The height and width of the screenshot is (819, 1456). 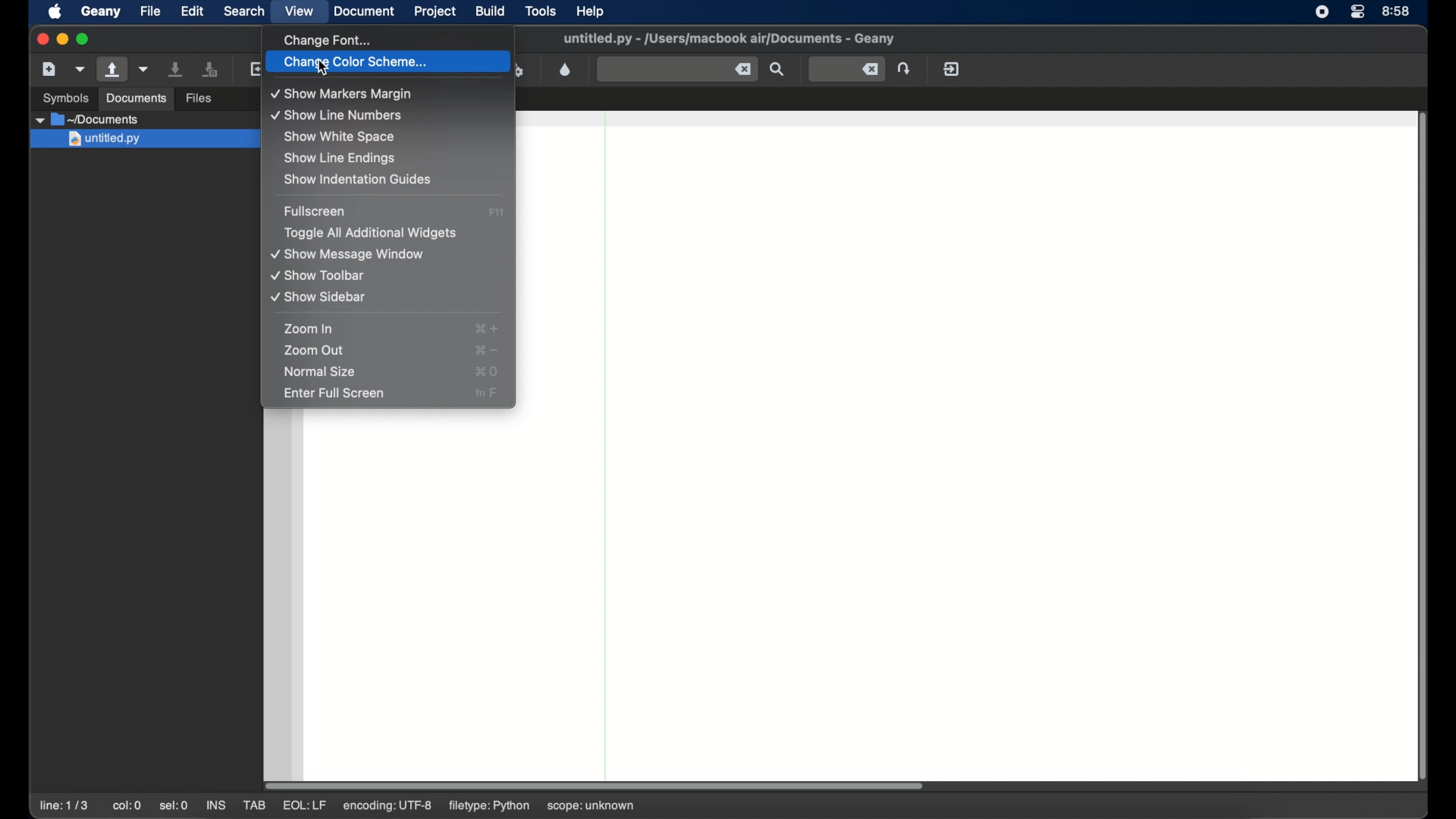 I want to click on reload the current file from disk, so click(x=253, y=69).